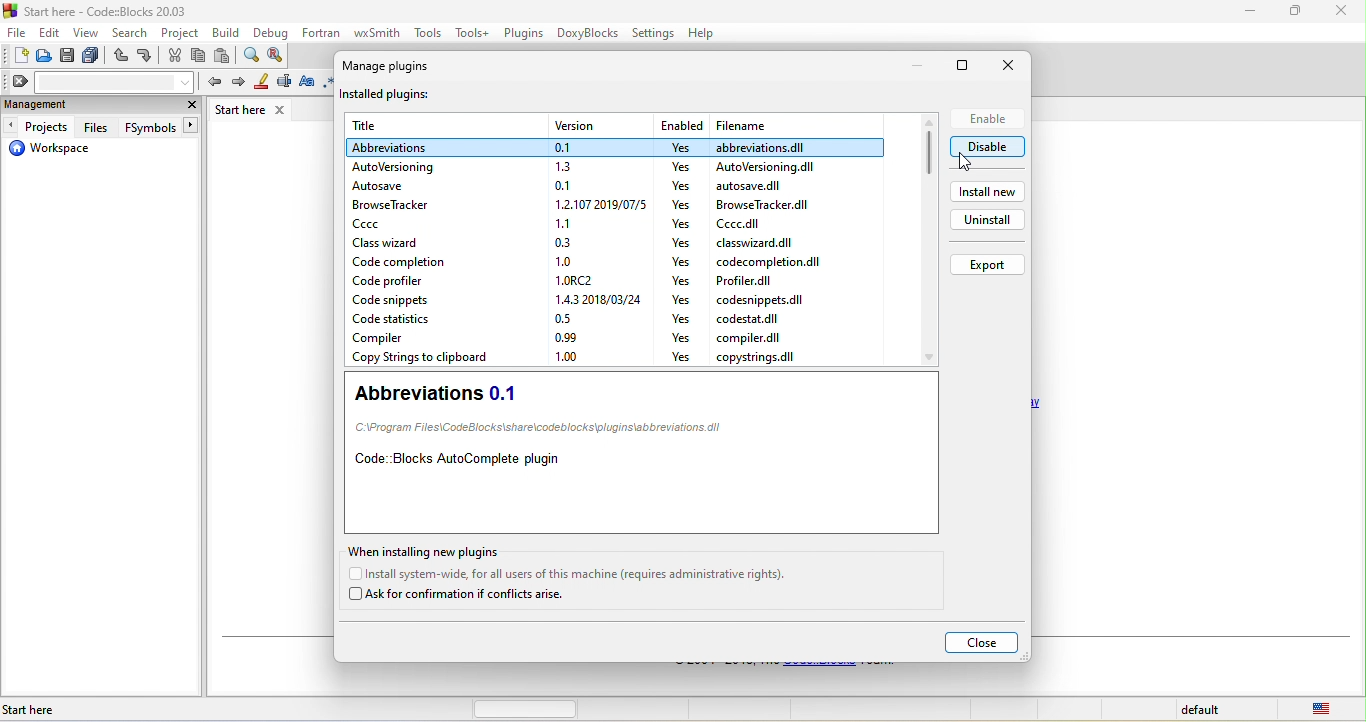 Image resolution: width=1366 pixels, height=722 pixels. What do you see at coordinates (284, 84) in the screenshot?
I see `selected text` at bounding box center [284, 84].